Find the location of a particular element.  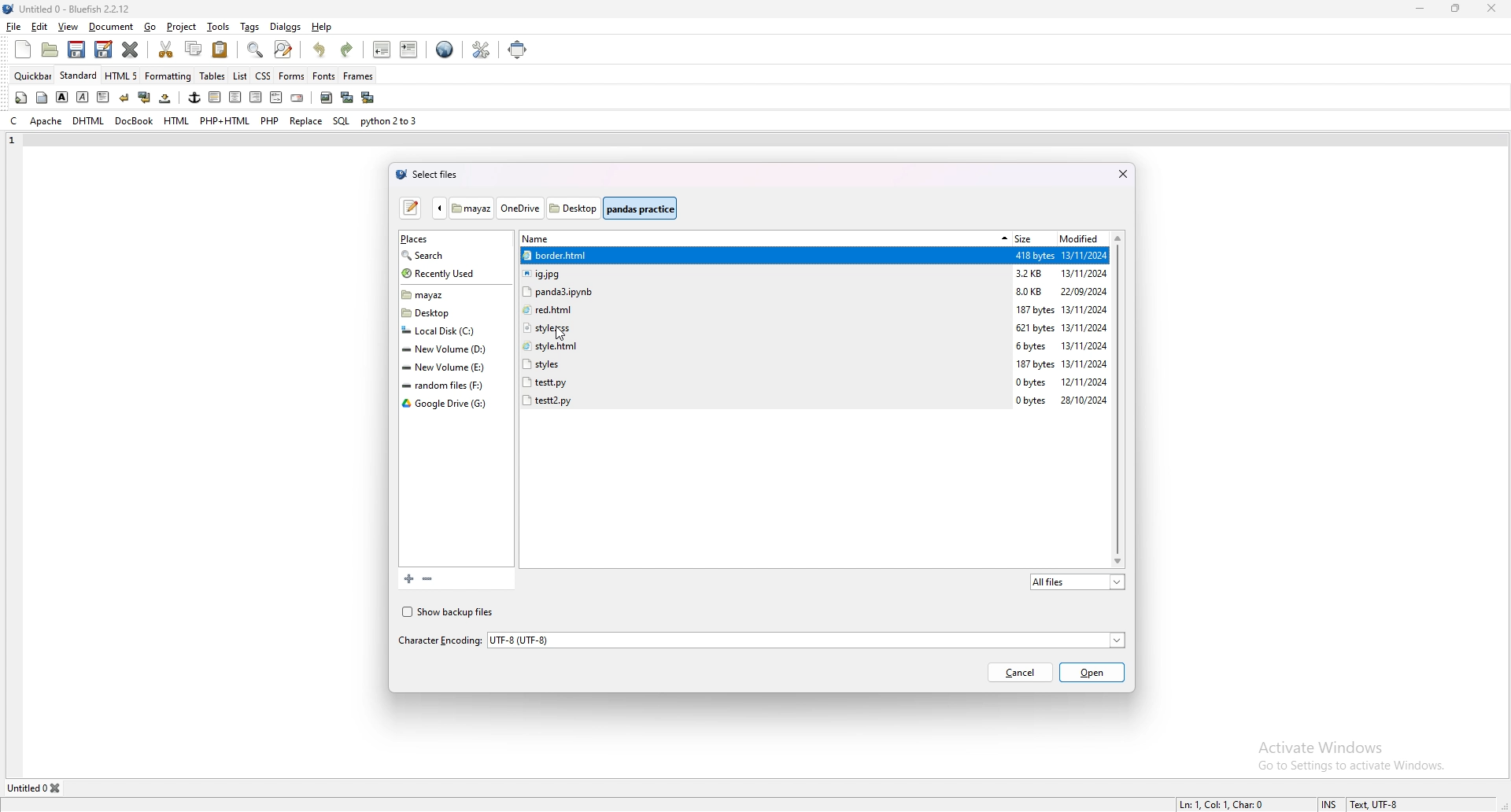

file is located at coordinates (764, 399).